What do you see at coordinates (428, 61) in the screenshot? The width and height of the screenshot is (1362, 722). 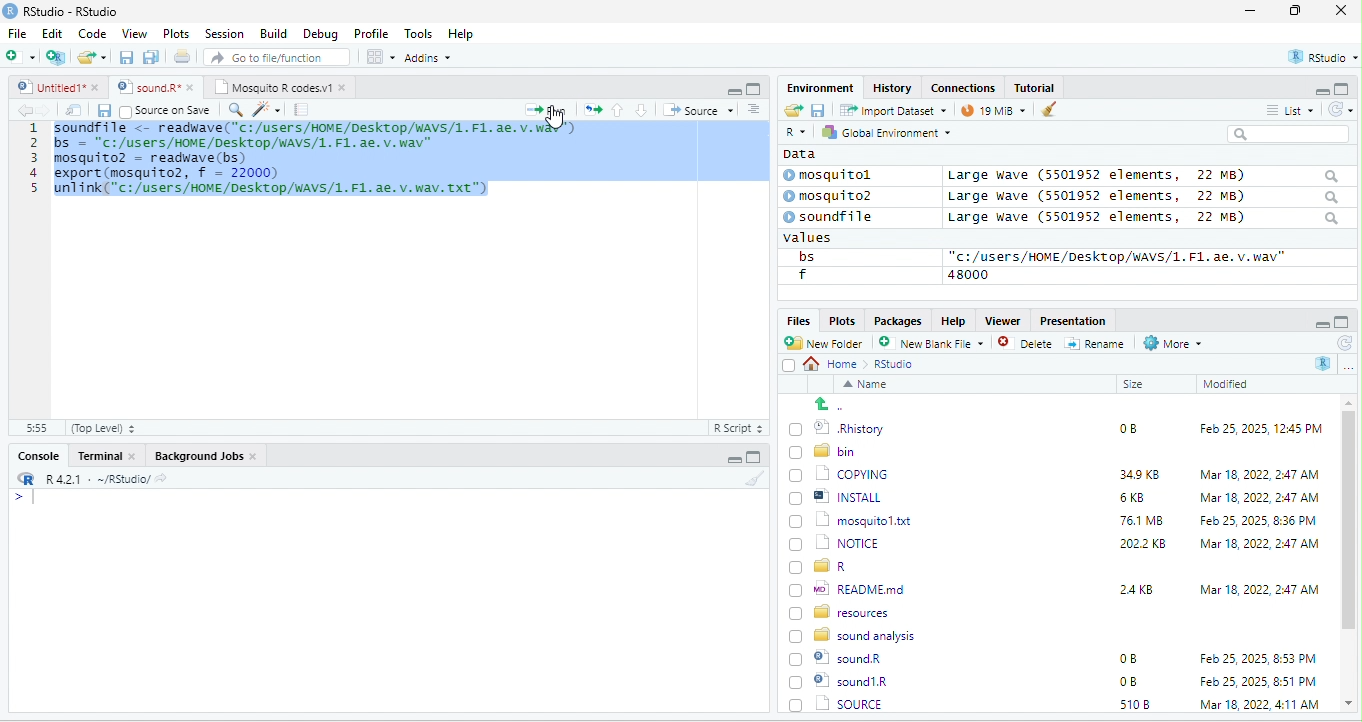 I see `Adonns ` at bounding box center [428, 61].